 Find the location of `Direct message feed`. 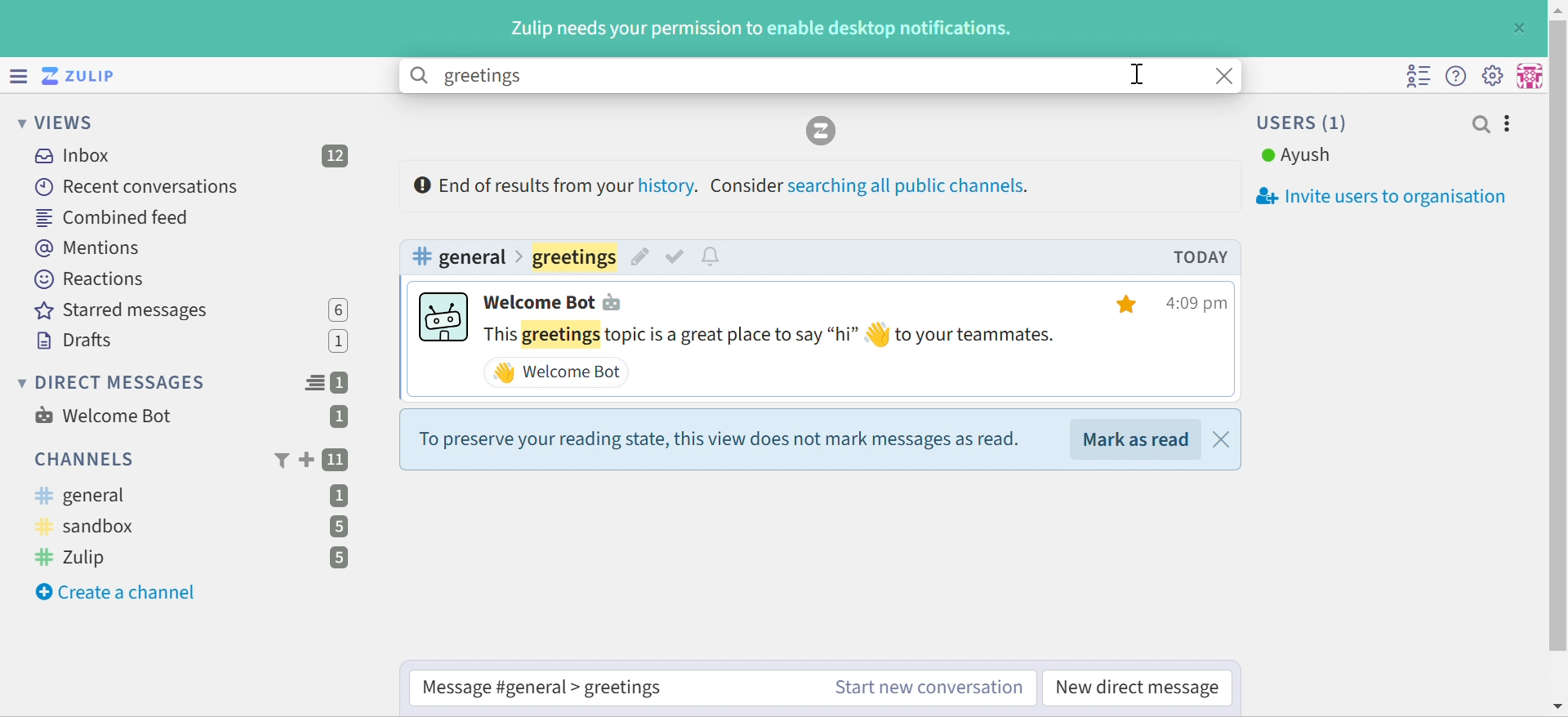

Direct message feed is located at coordinates (314, 383).